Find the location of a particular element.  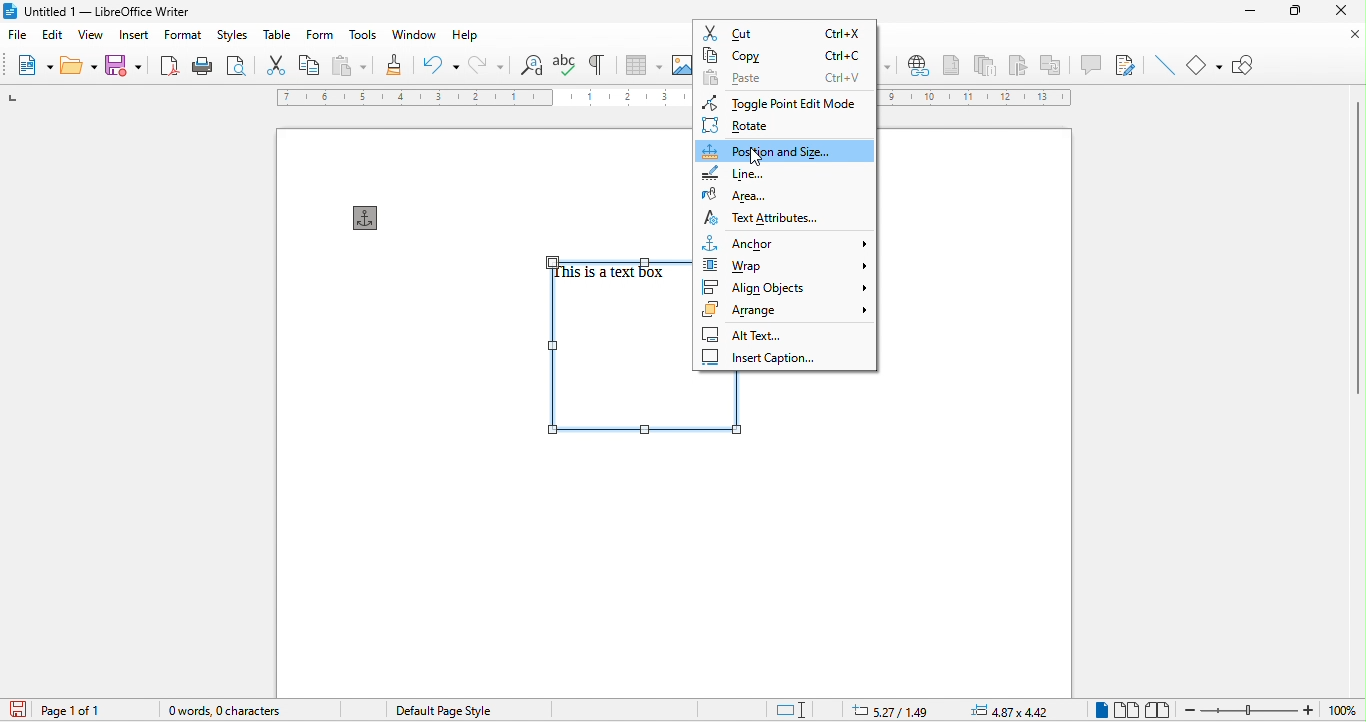

zoom is located at coordinates (1272, 709).